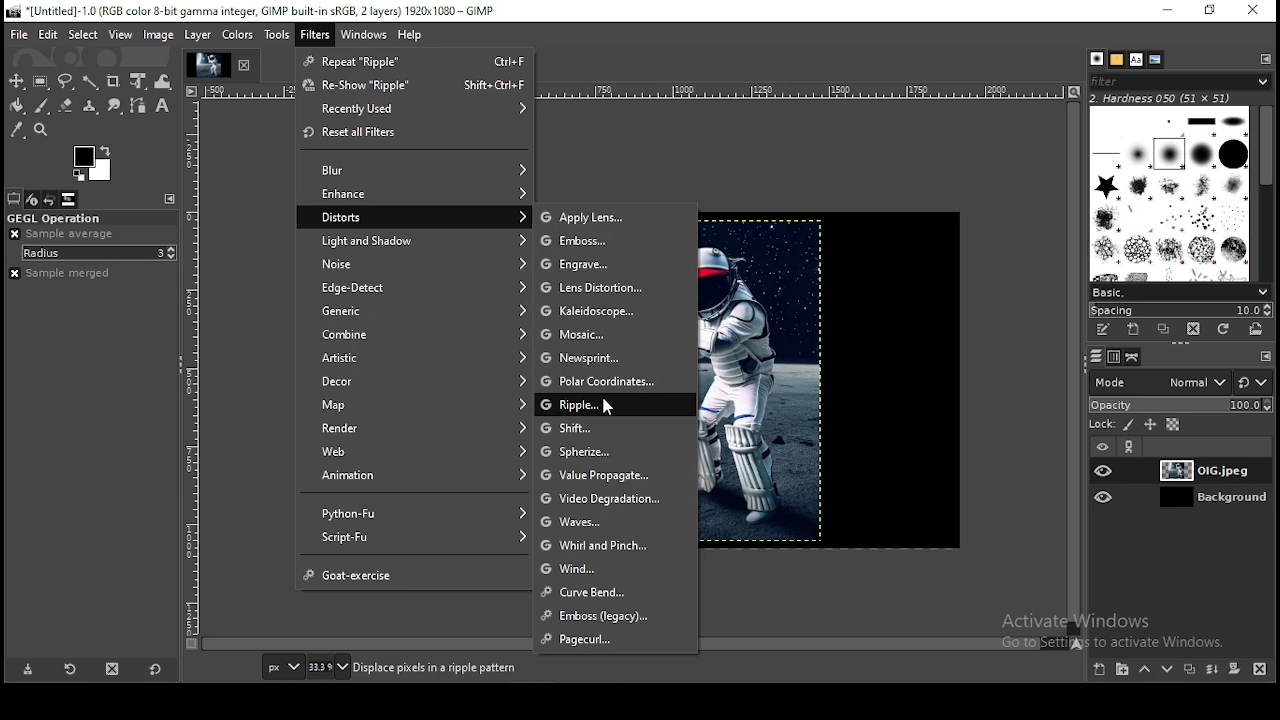 Image resolution: width=1280 pixels, height=720 pixels. I want to click on image, so click(158, 34).